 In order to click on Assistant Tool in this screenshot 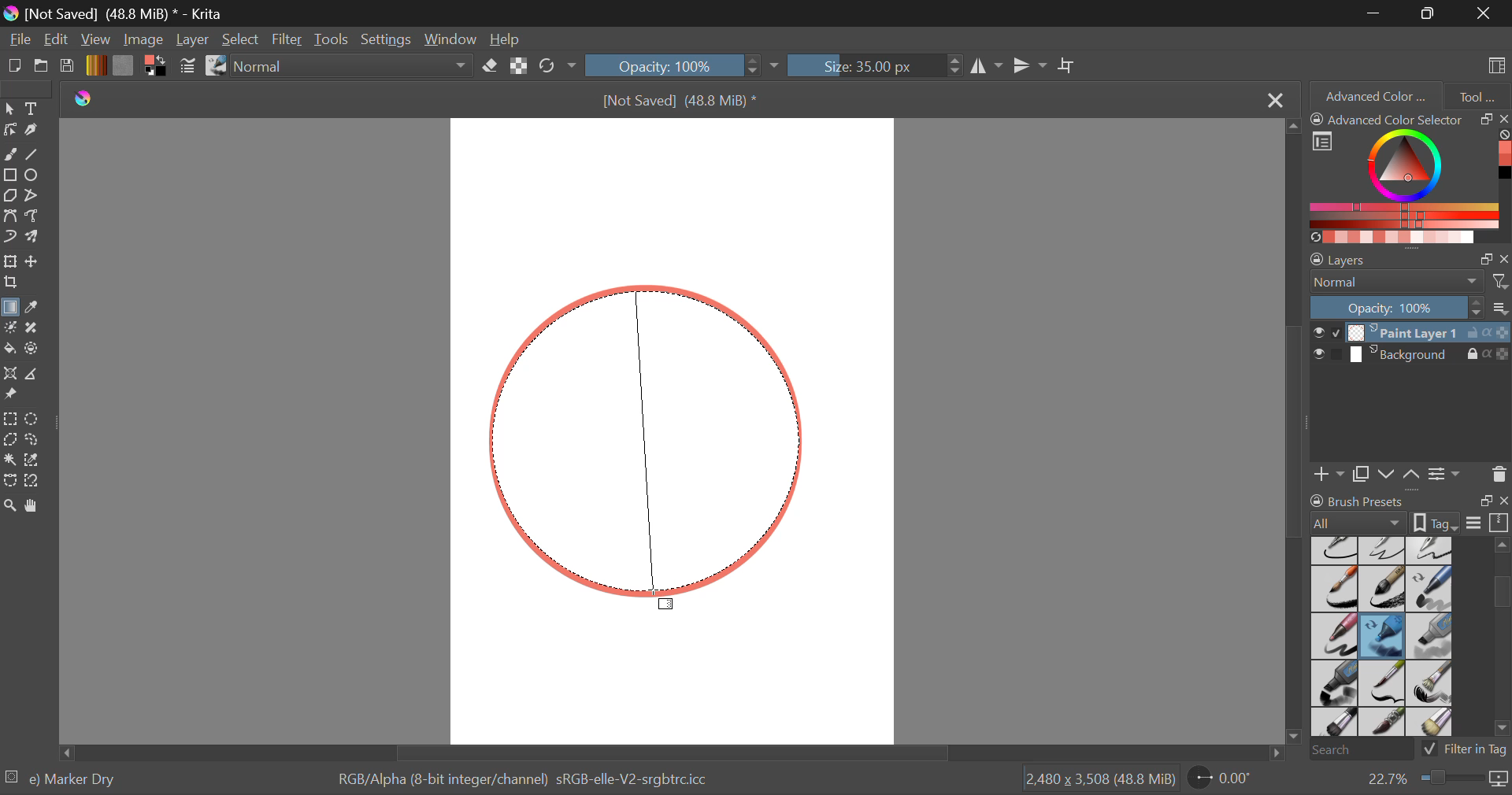, I will do `click(11, 375)`.